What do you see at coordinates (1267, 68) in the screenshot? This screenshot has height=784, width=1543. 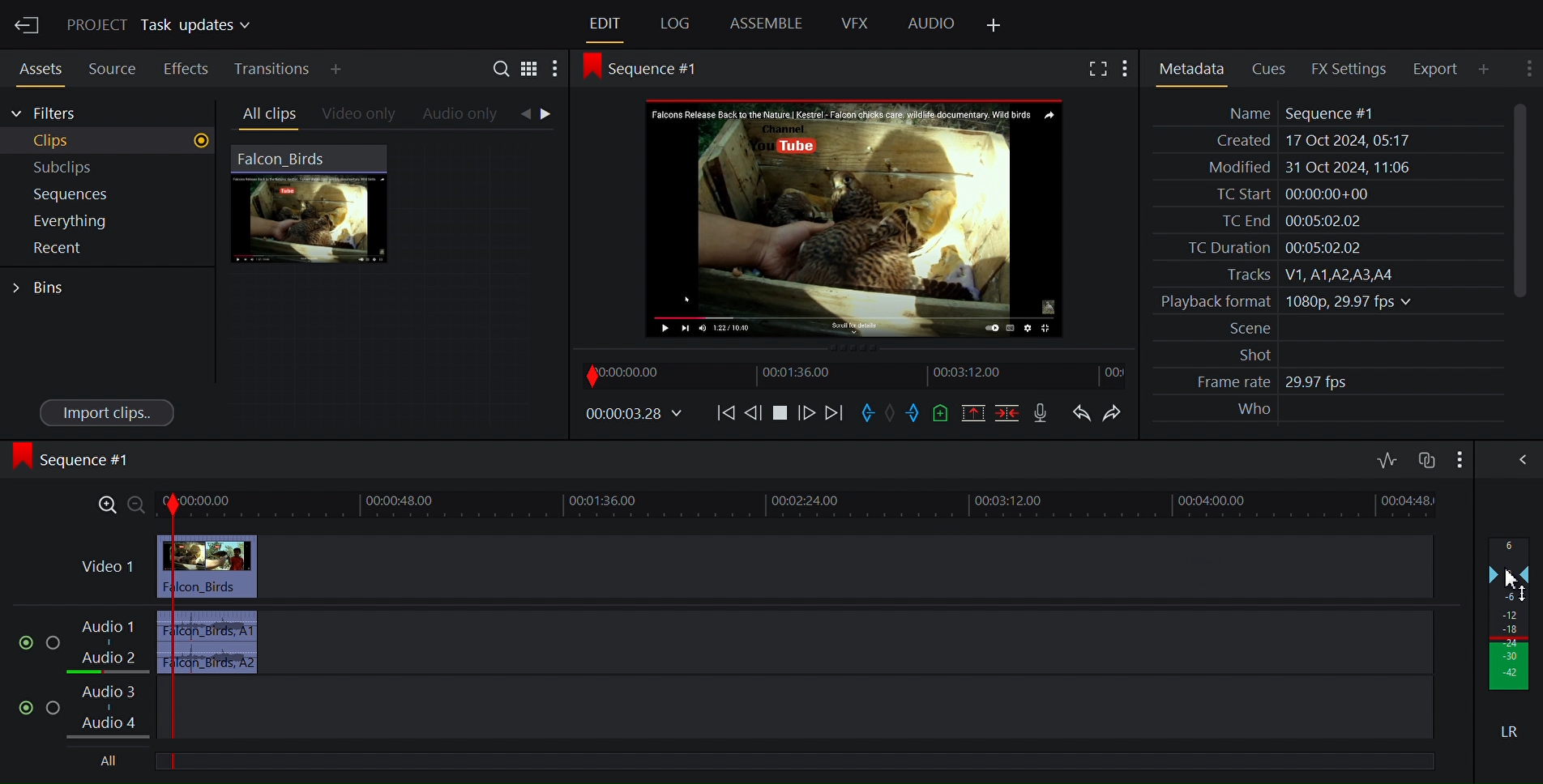 I see `Cues` at bounding box center [1267, 68].